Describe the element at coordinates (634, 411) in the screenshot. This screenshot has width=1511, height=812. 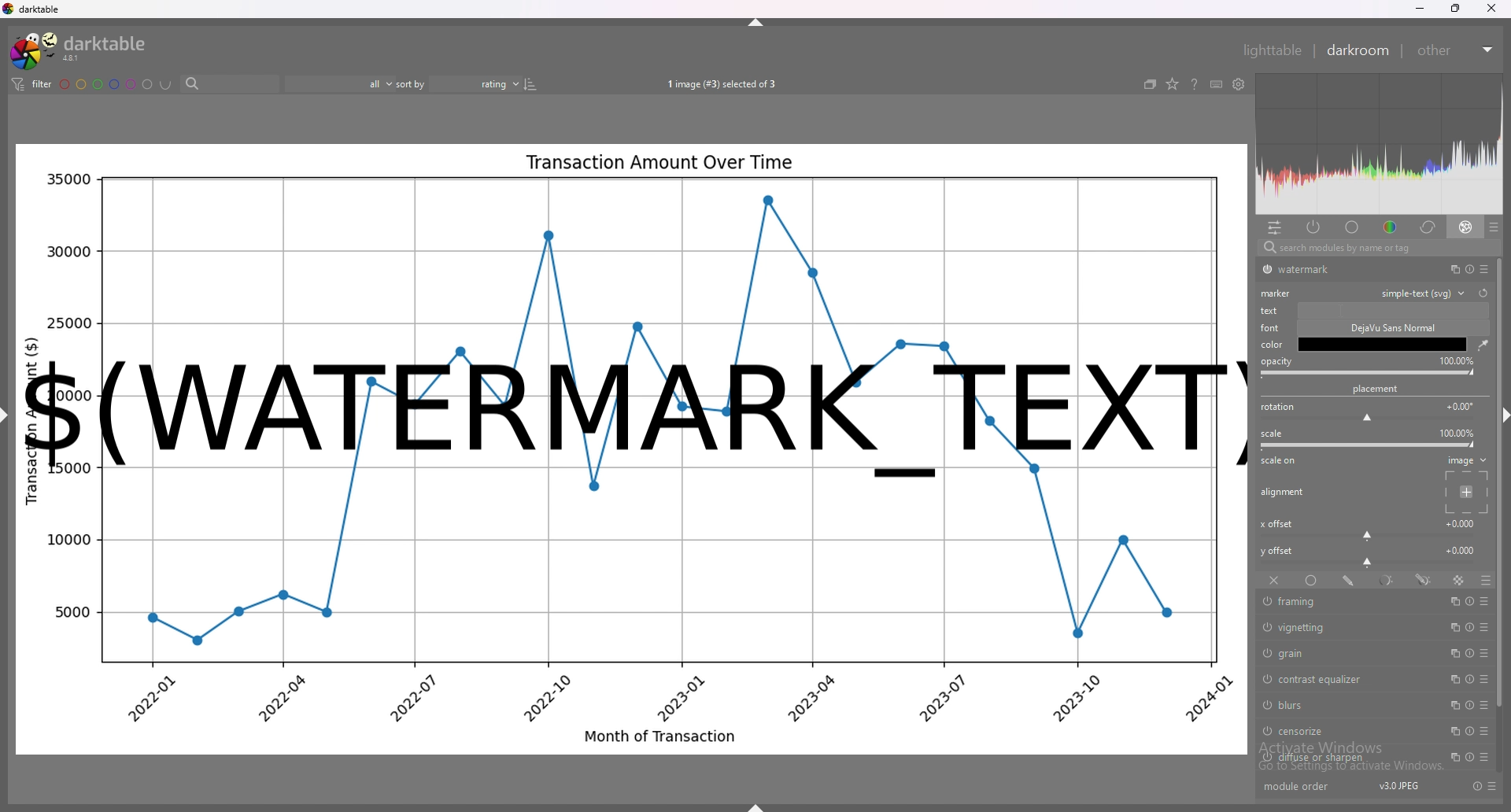
I see `watermark` at that location.